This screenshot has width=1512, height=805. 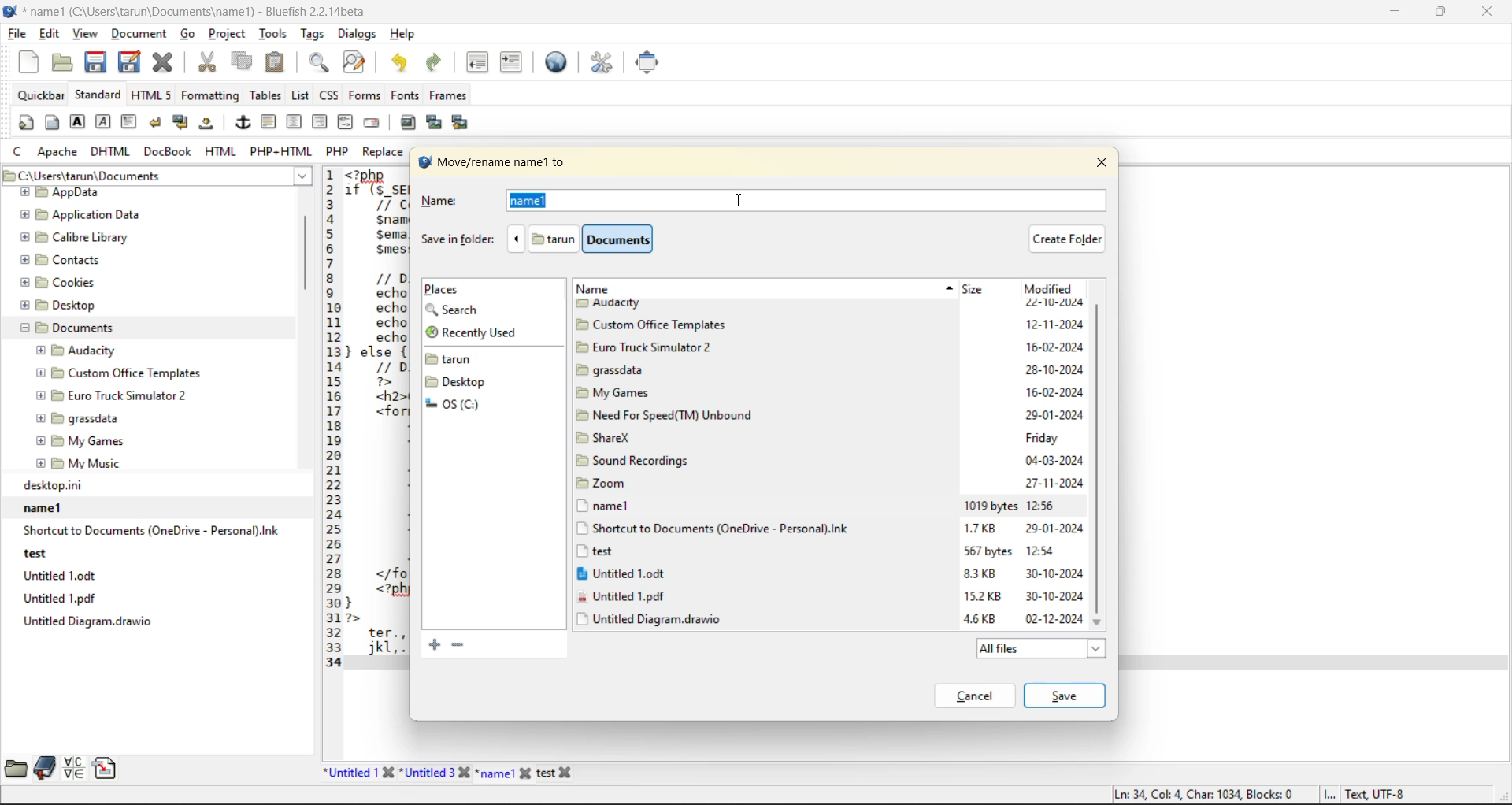 I want to click on snippets, so click(x=104, y=768).